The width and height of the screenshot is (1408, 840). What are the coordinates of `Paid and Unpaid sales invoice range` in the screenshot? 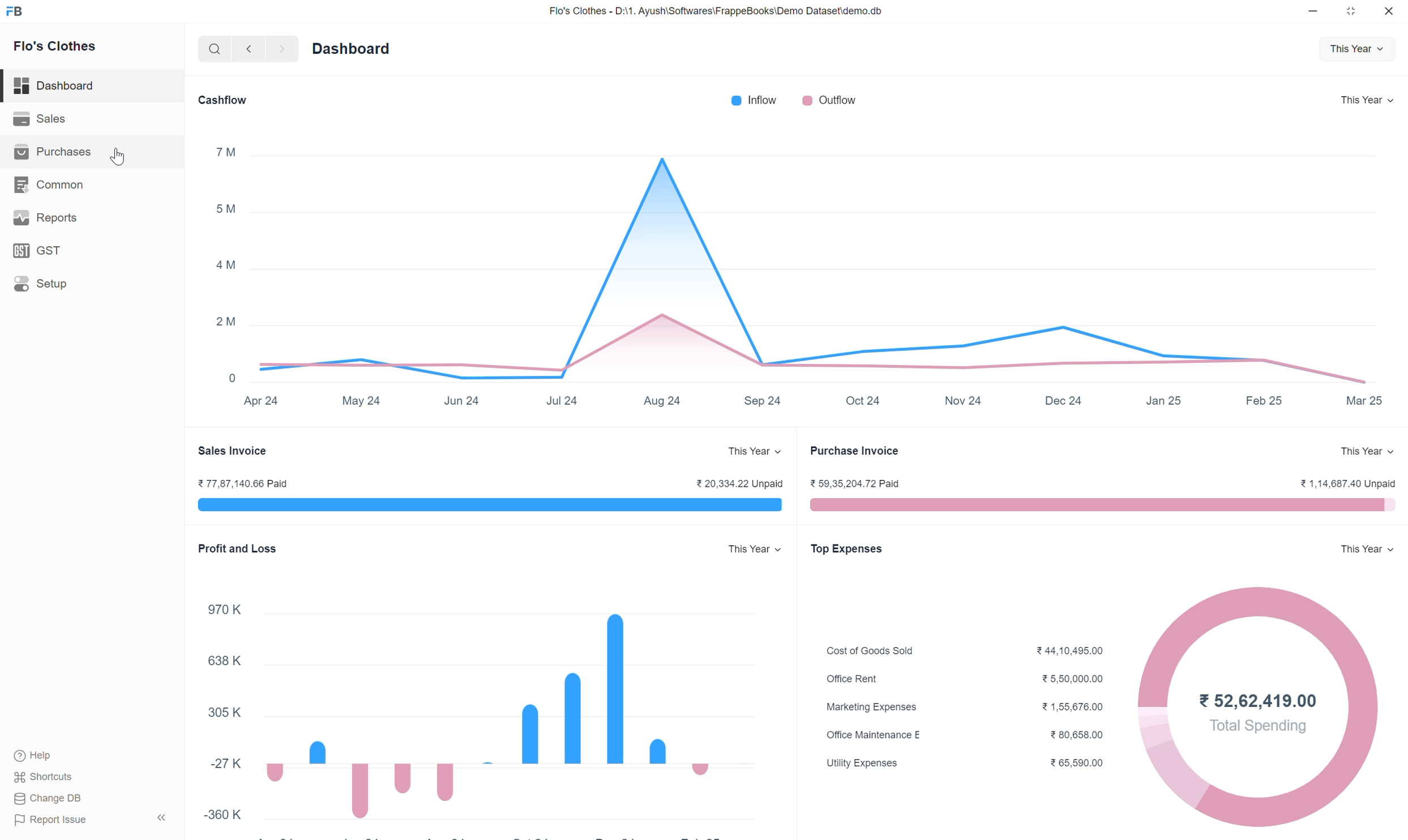 It's located at (490, 504).